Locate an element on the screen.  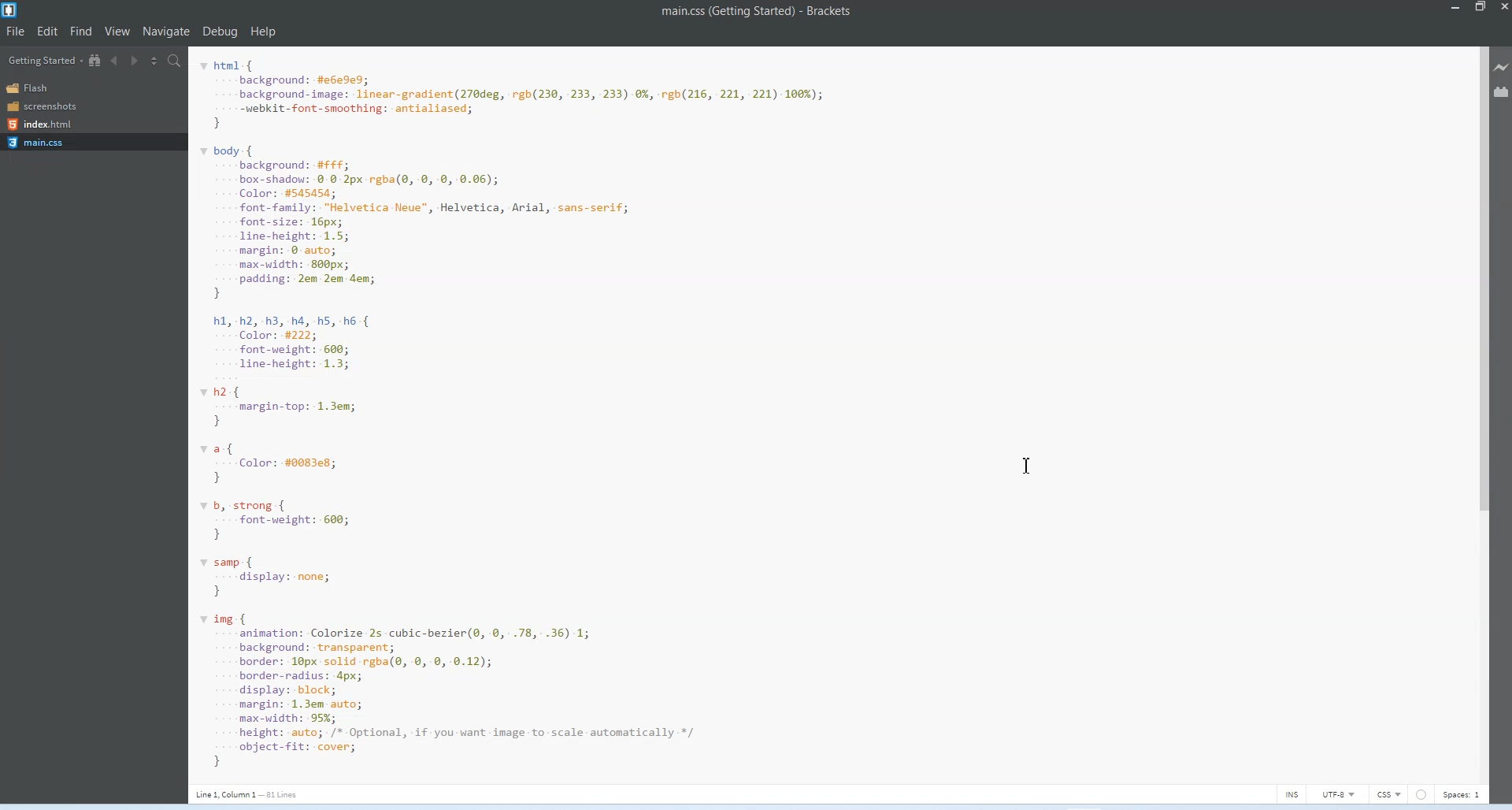
Text 3 is located at coordinates (250, 793).